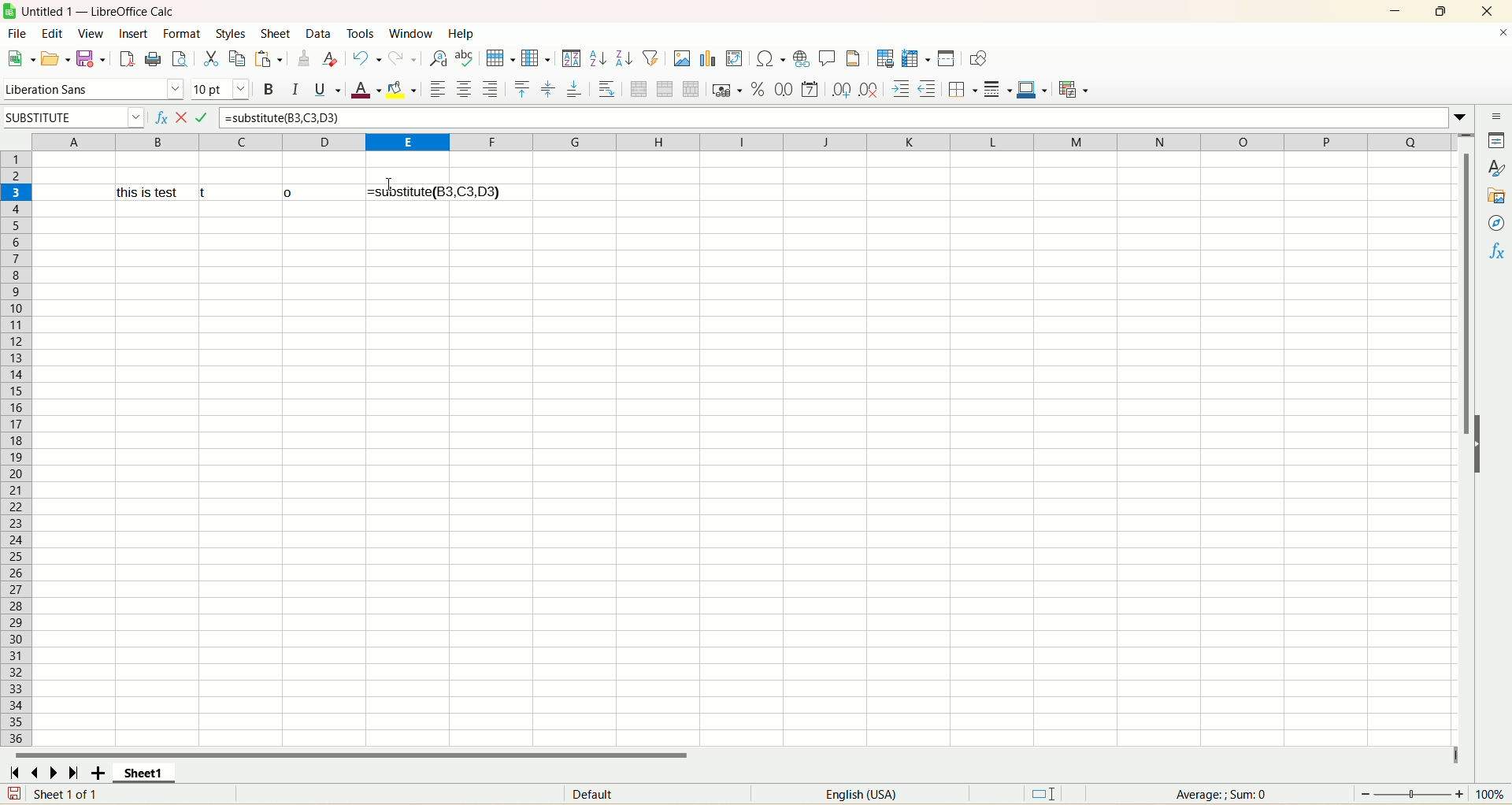  I want to click on edit, so click(50, 33).